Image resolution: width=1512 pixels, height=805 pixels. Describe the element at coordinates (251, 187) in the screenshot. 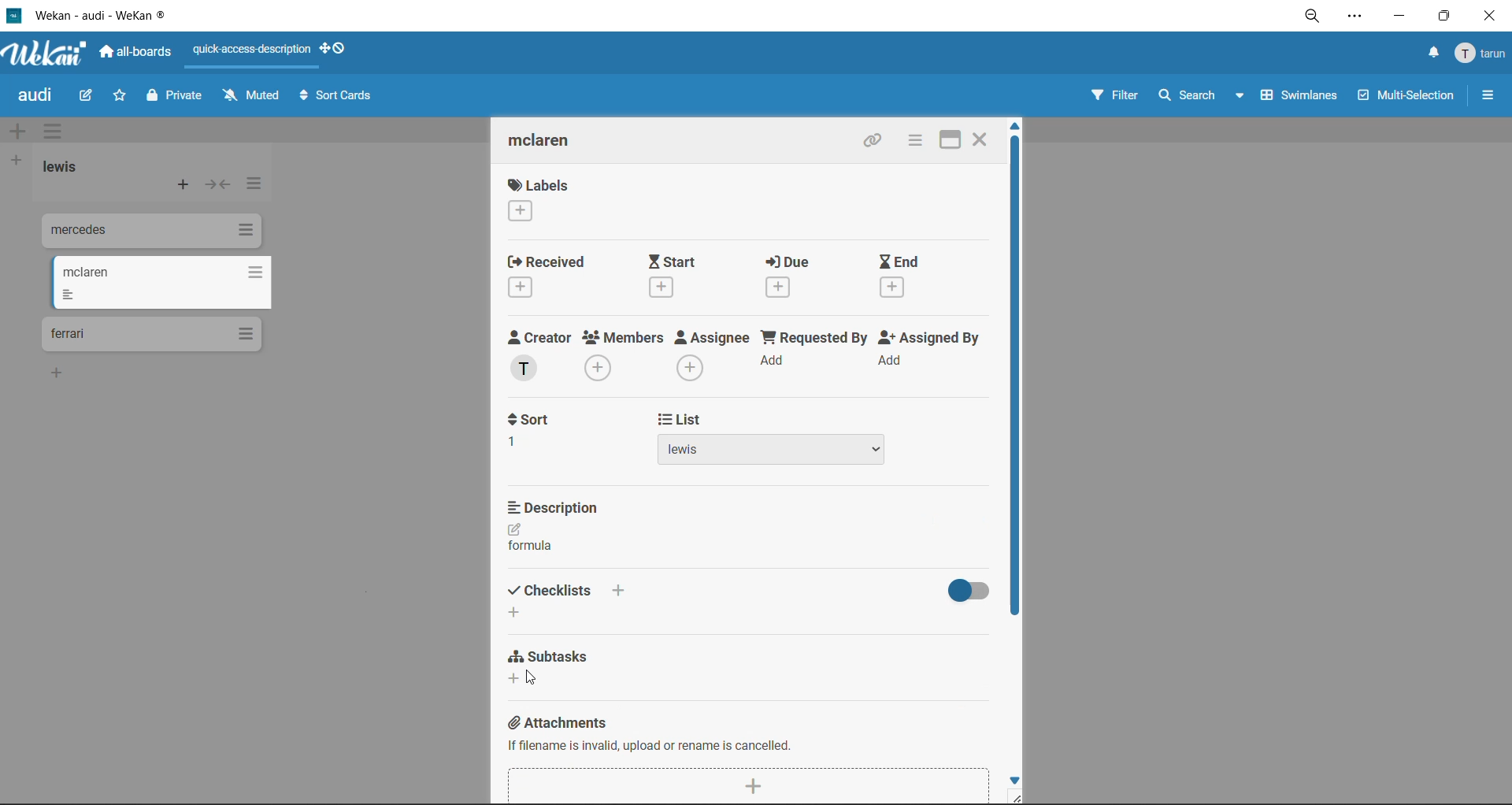

I see `list actions` at that location.